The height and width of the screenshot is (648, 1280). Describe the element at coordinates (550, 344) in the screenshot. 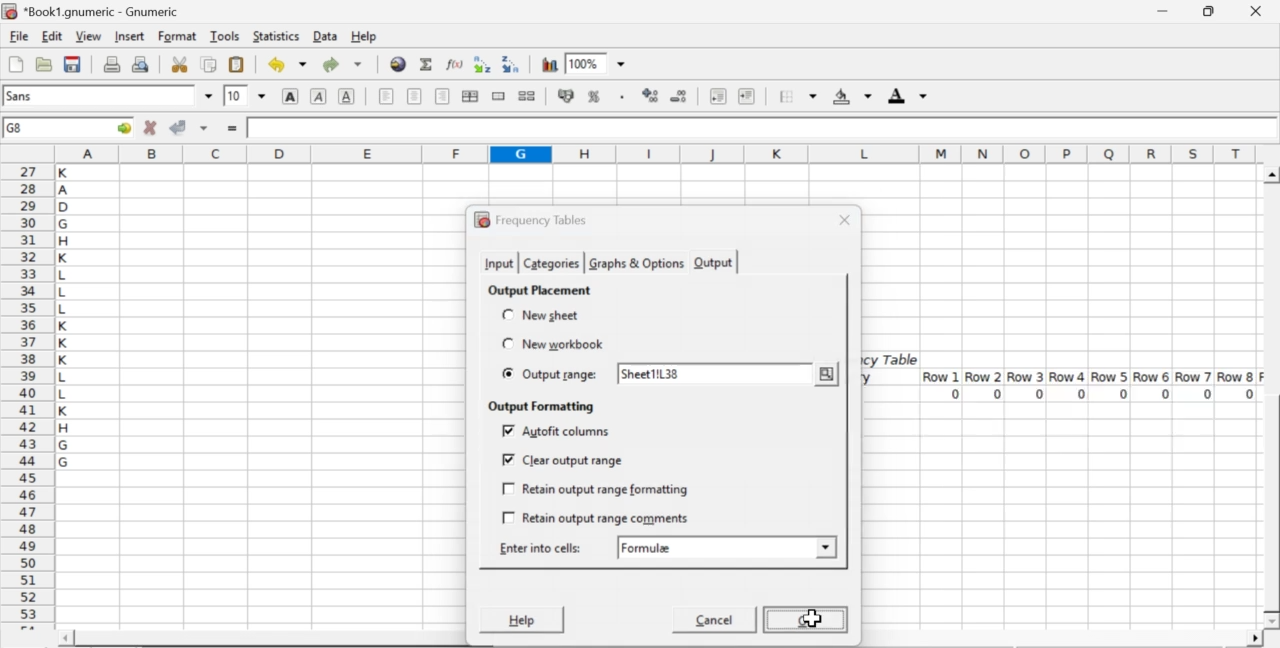

I see `new workbook` at that location.